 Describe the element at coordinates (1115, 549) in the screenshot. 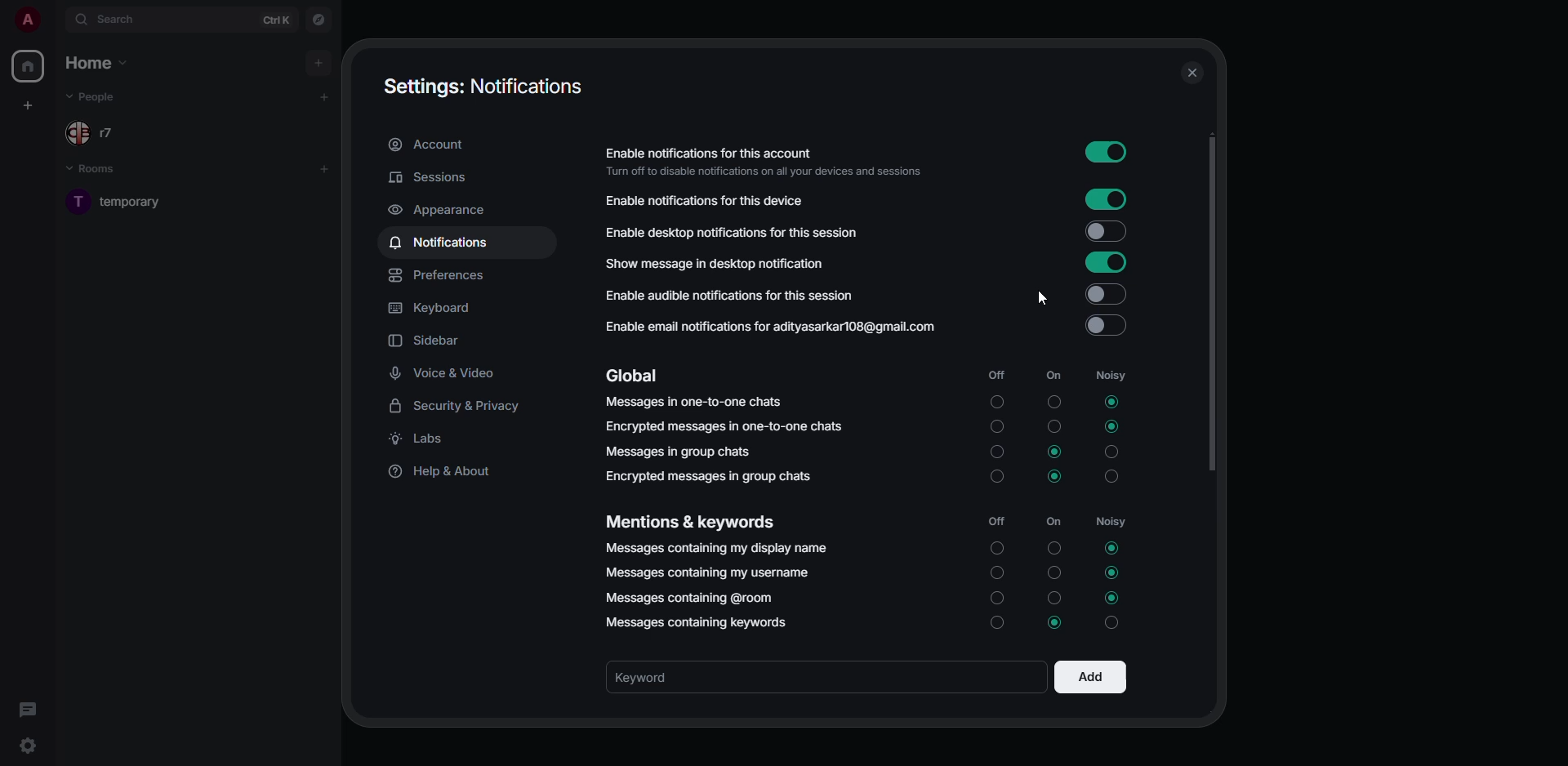

I see `selected` at that location.